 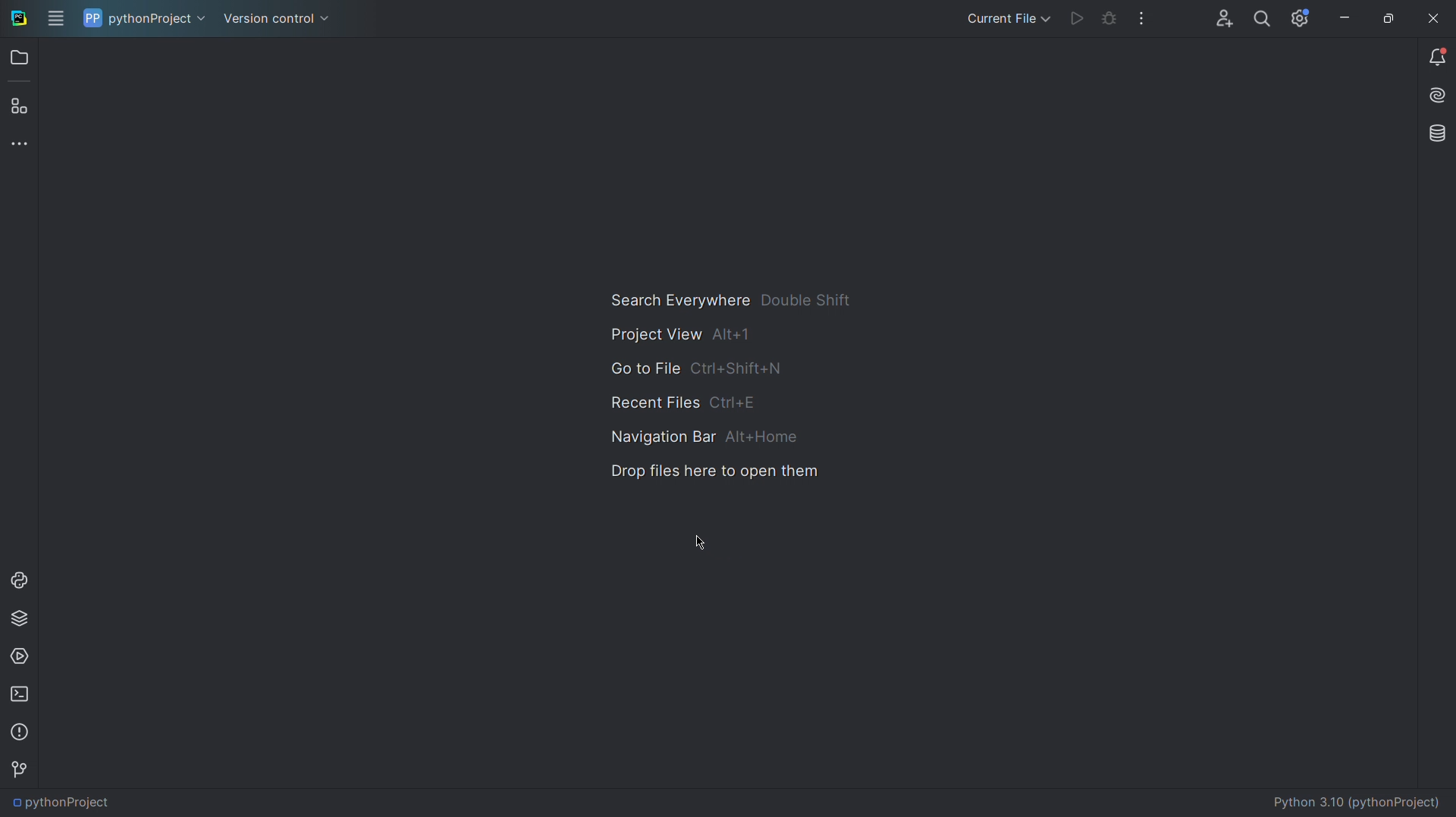 What do you see at coordinates (714, 473) in the screenshot?
I see `Drop files here to open them` at bounding box center [714, 473].